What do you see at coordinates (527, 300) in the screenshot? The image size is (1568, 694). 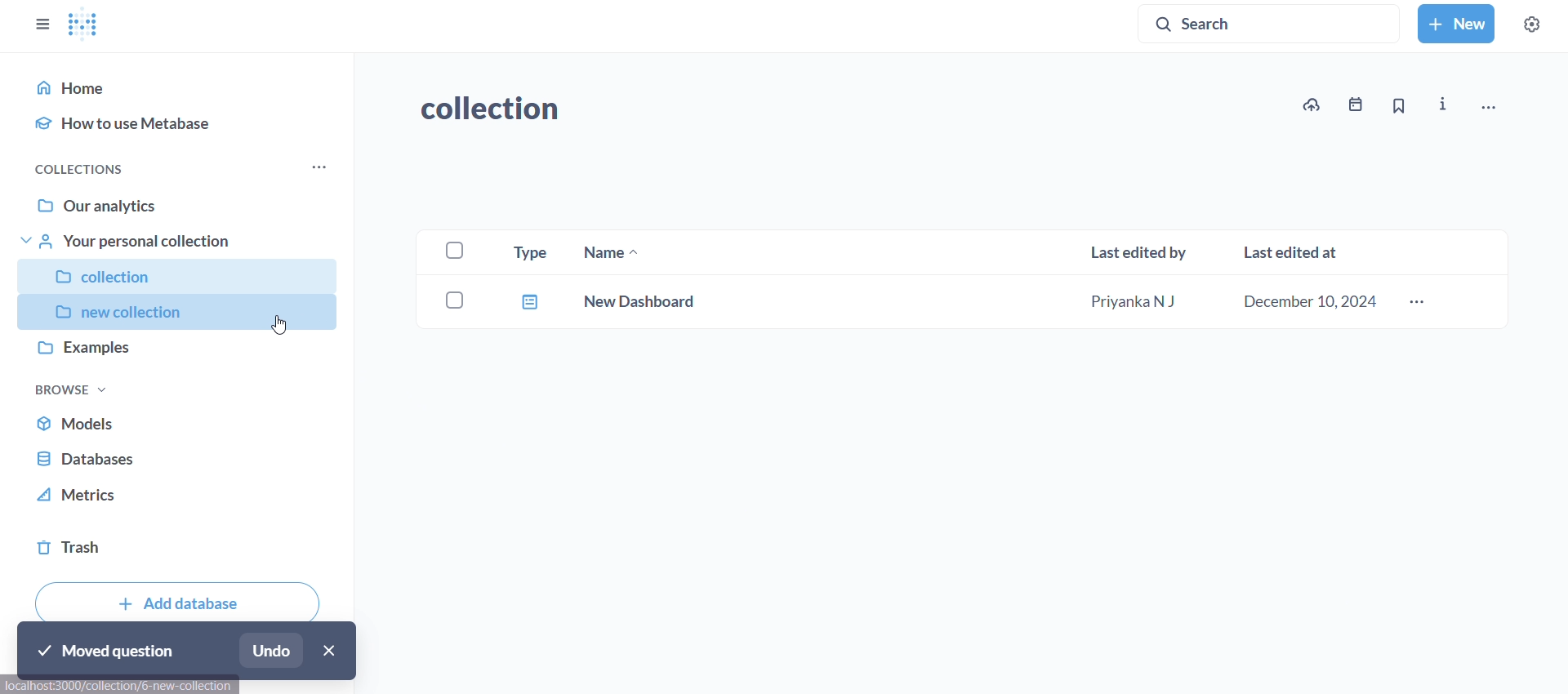 I see `file` at bounding box center [527, 300].